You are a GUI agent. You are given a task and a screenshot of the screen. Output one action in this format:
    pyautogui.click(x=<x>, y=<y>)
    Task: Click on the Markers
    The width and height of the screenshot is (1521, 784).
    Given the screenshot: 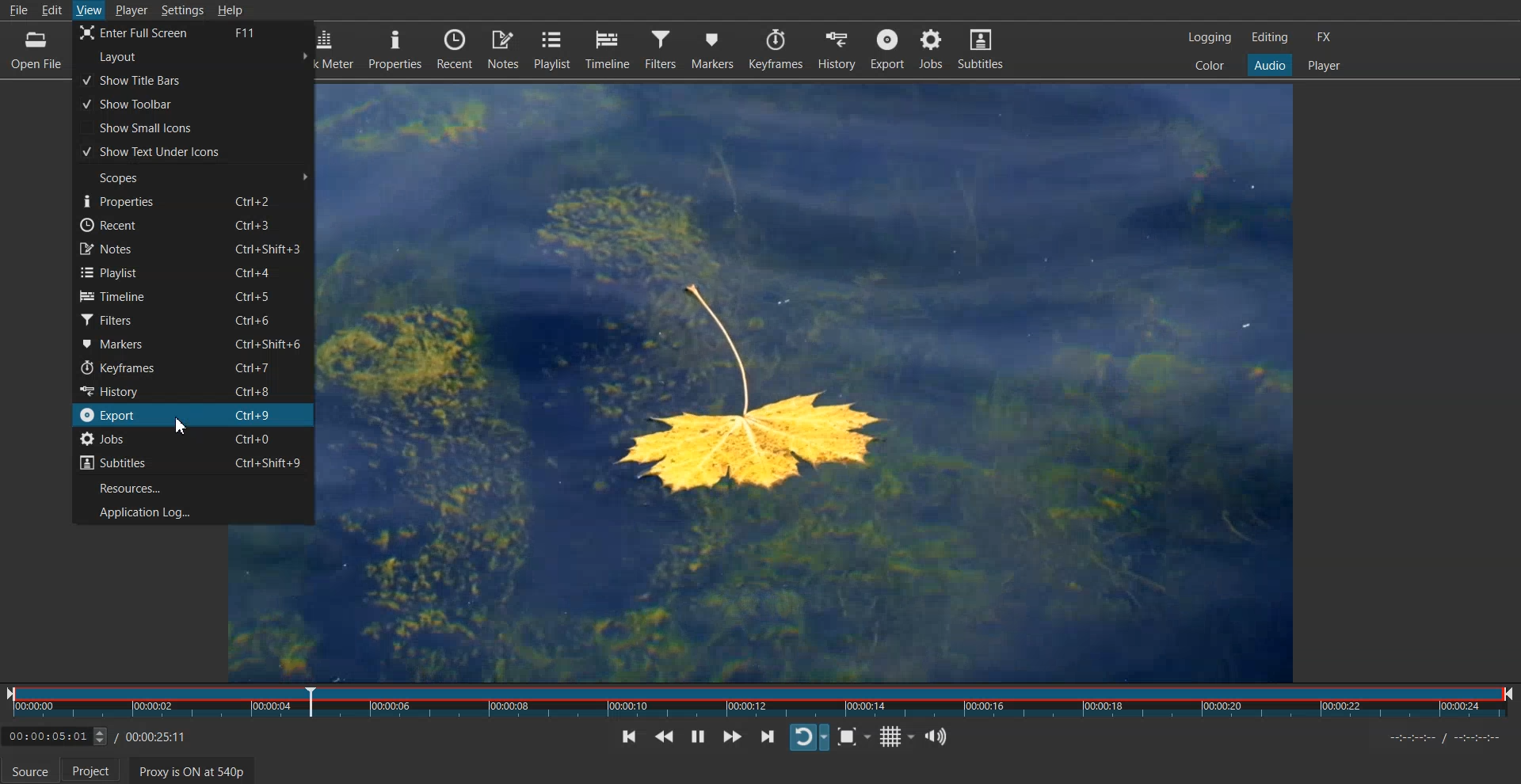 What is the action you would take?
    pyautogui.click(x=712, y=48)
    